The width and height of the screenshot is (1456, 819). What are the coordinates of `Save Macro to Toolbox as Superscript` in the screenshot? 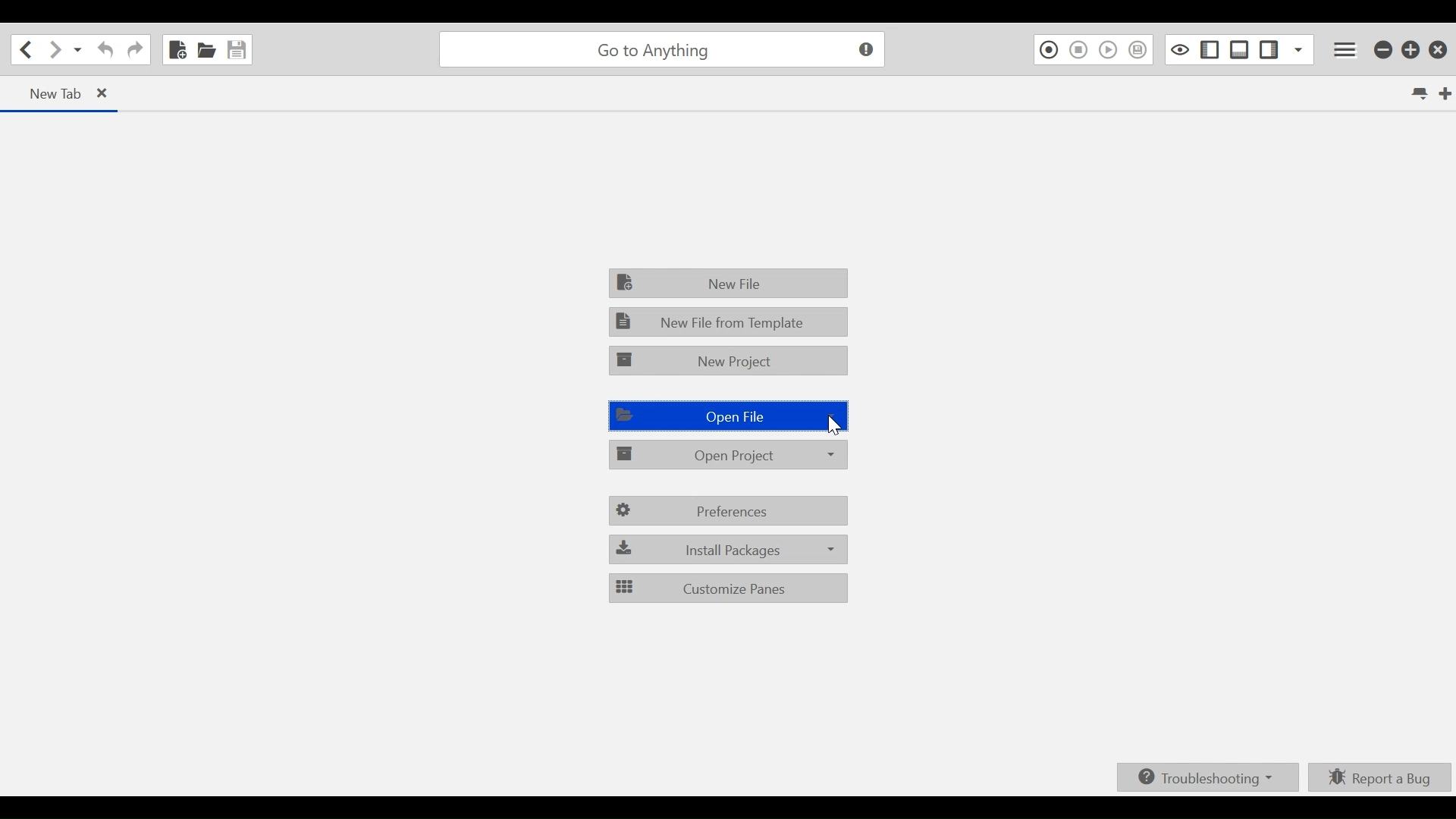 It's located at (1139, 50).